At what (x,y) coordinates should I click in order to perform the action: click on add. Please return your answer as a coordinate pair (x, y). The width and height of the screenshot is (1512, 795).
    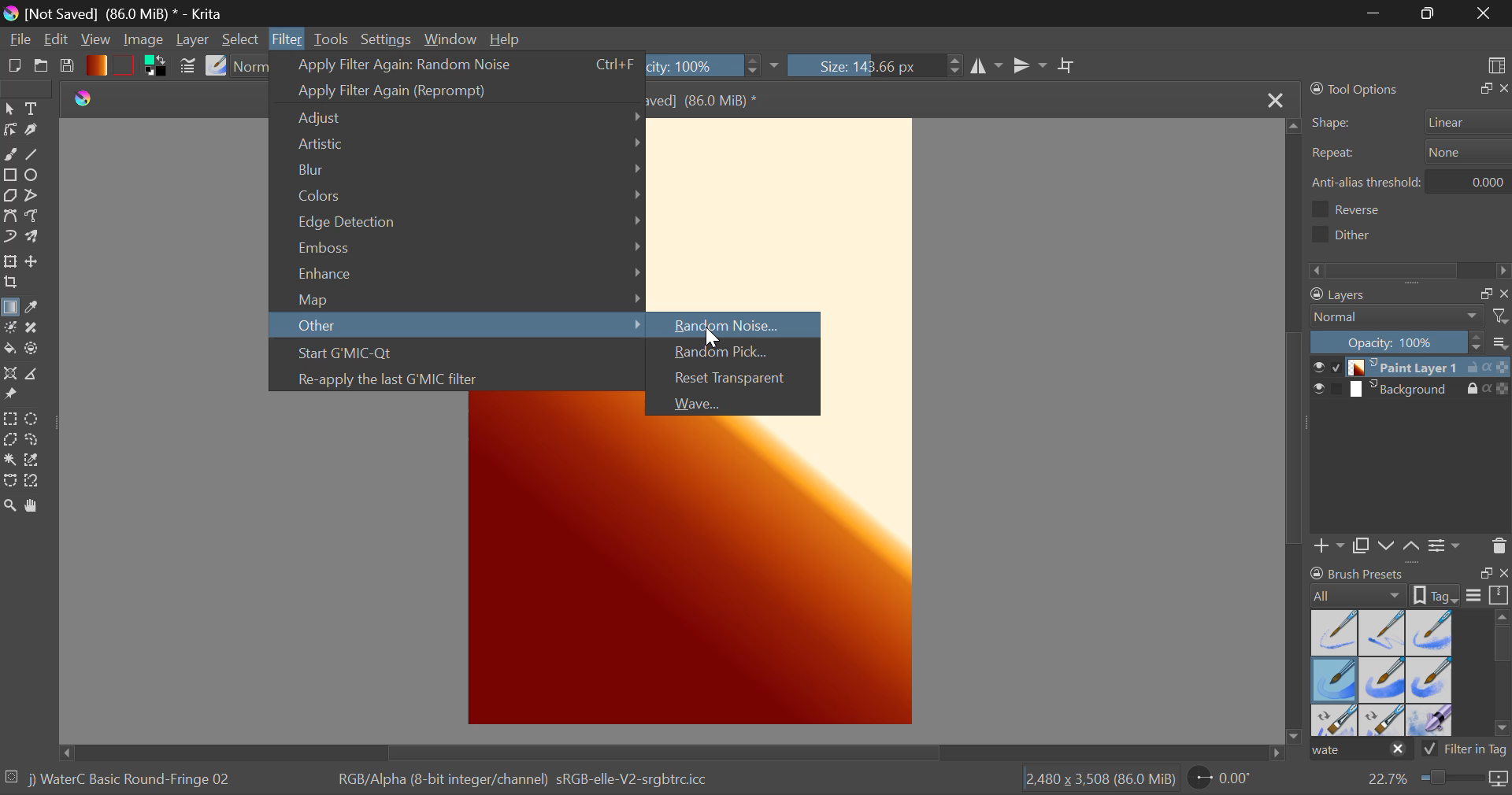
    Looking at the image, I should click on (1330, 548).